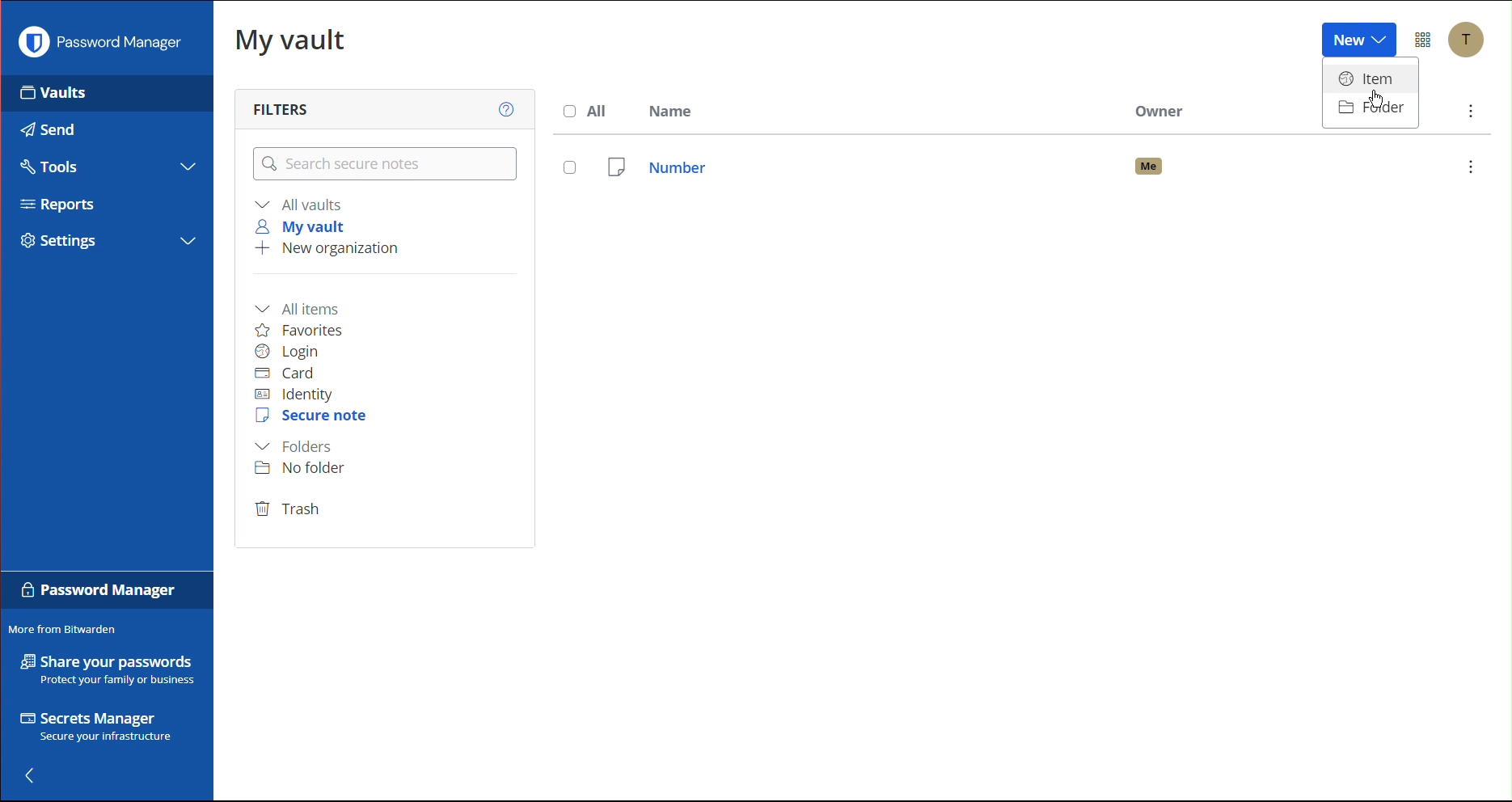 The width and height of the screenshot is (1512, 802). Describe the element at coordinates (302, 204) in the screenshot. I see `All vaults` at that location.